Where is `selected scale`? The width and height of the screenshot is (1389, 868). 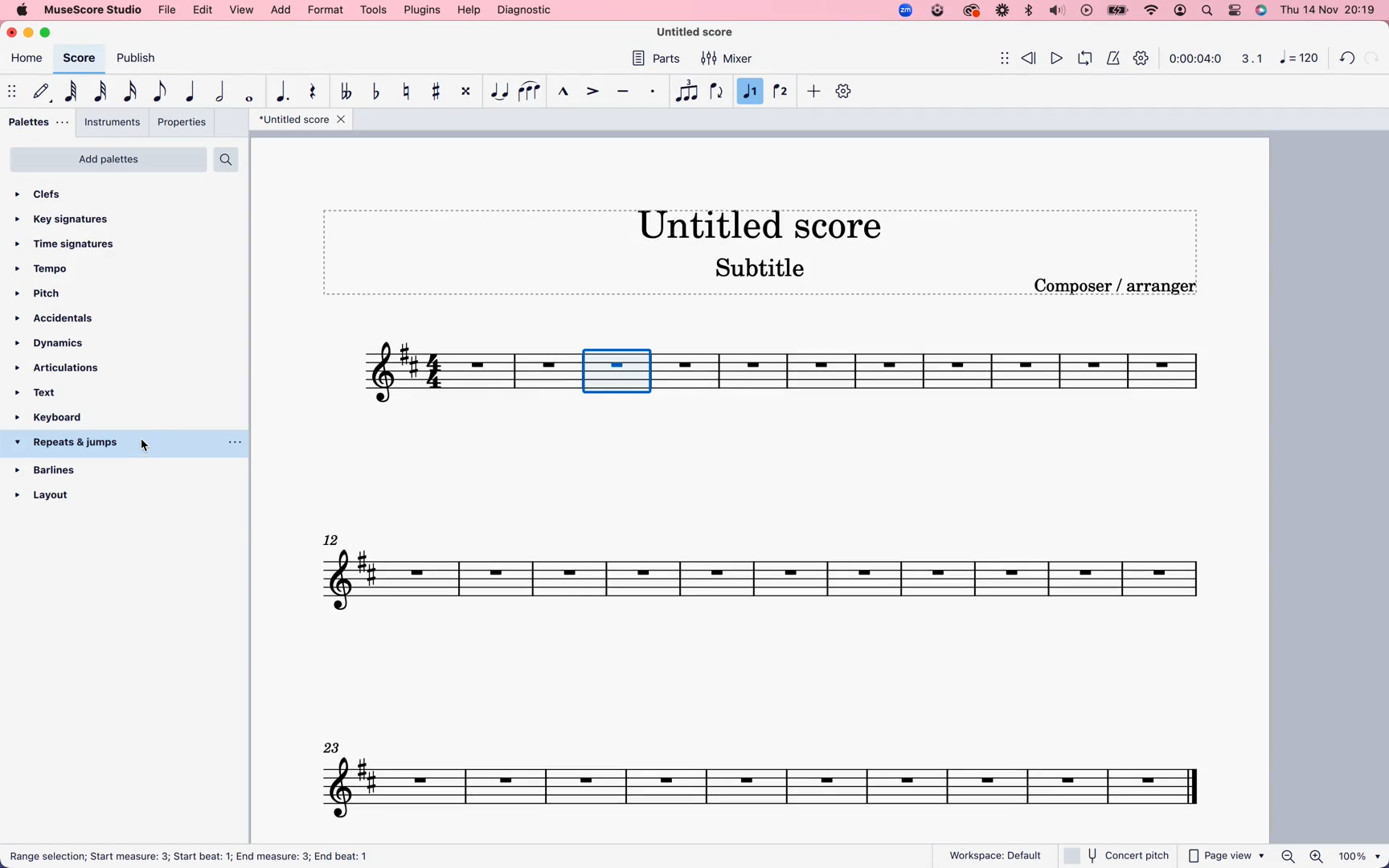
selected scale is located at coordinates (621, 371).